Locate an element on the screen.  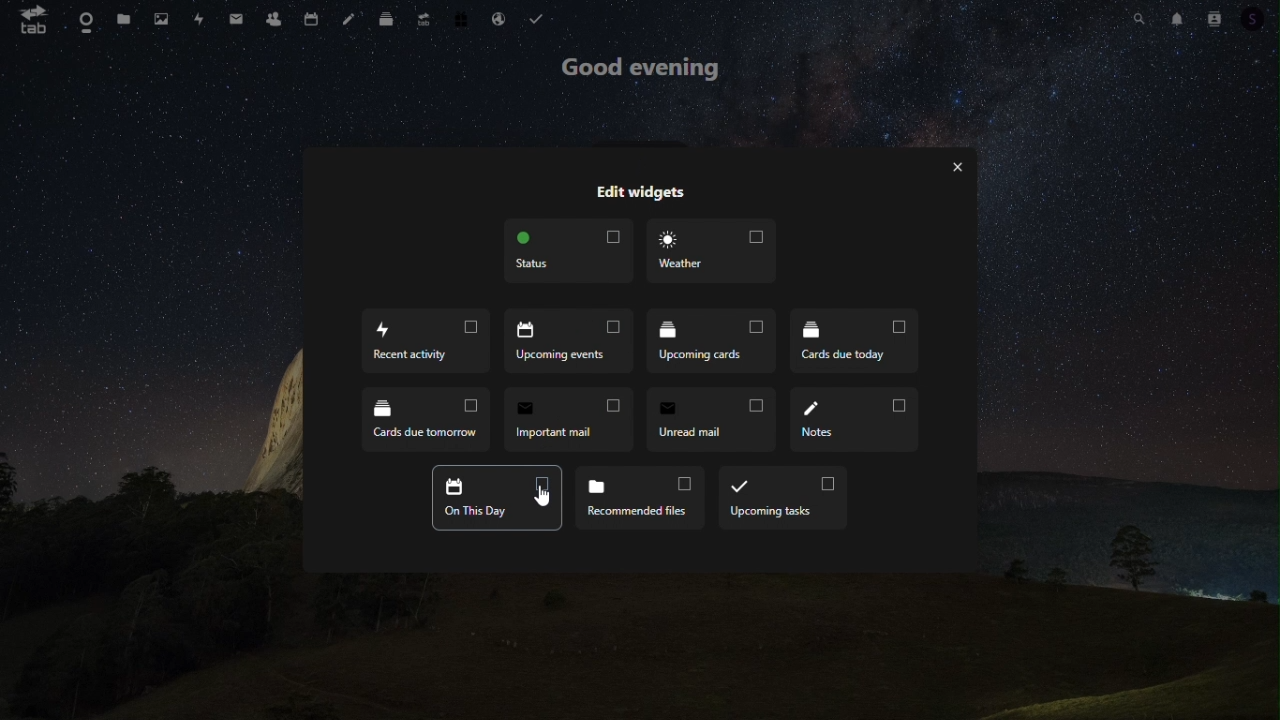
Cards due today is located at coordinates (851, 339).